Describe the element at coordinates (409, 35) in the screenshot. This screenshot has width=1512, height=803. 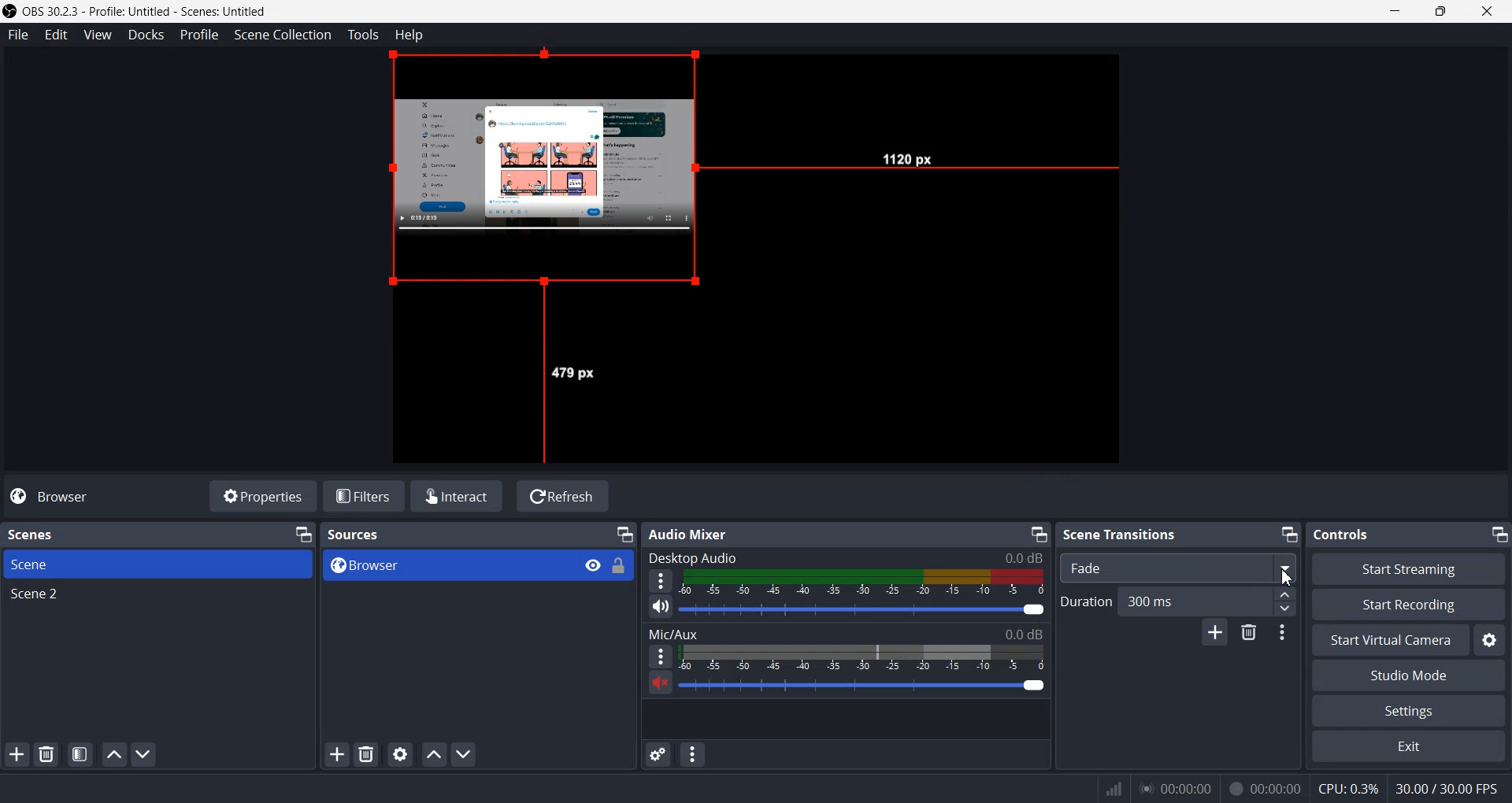
I see `Help` at that location.